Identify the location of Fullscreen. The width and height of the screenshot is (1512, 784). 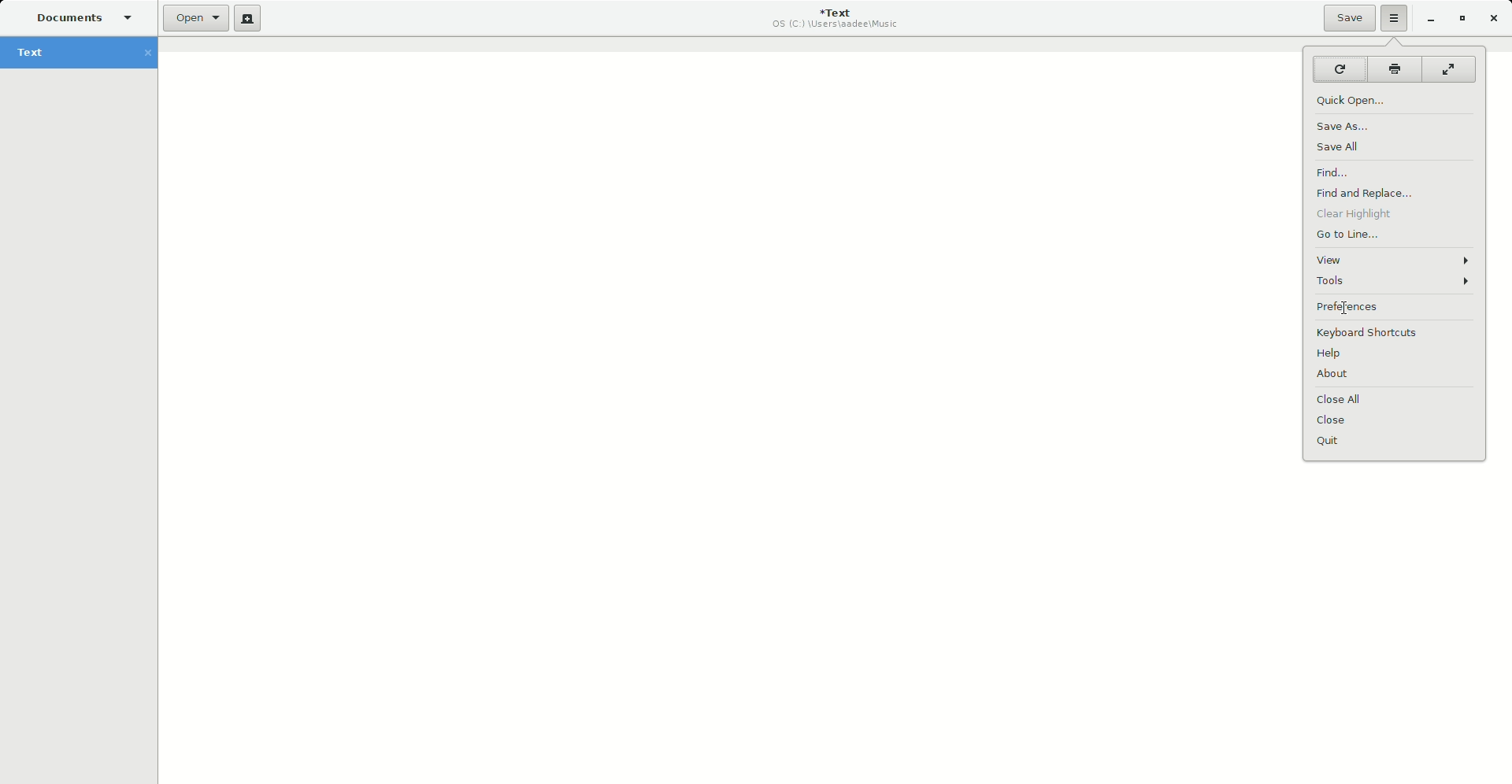
(1450, 69).